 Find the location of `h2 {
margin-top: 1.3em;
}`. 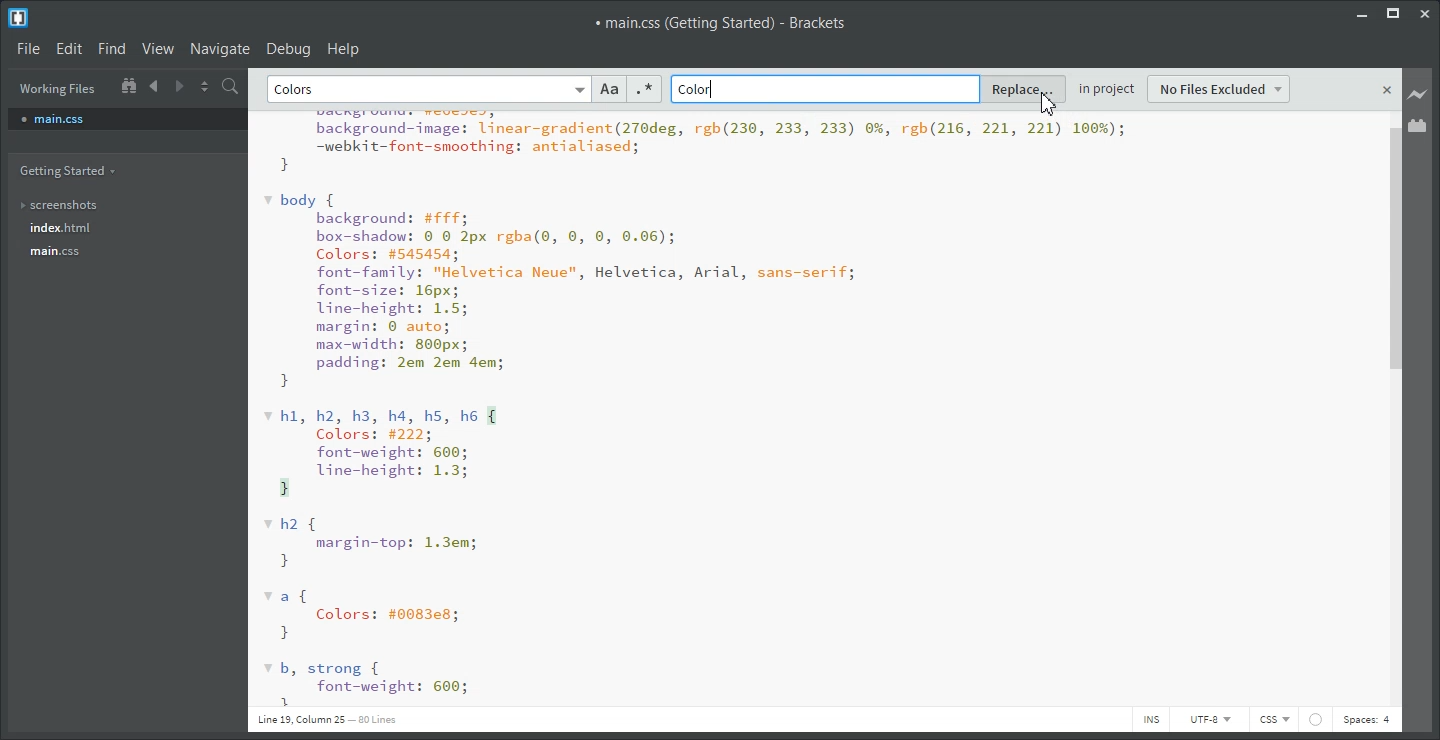

h2 {
margin-top: 1.3em;
} is located at coordinates (373, 543).